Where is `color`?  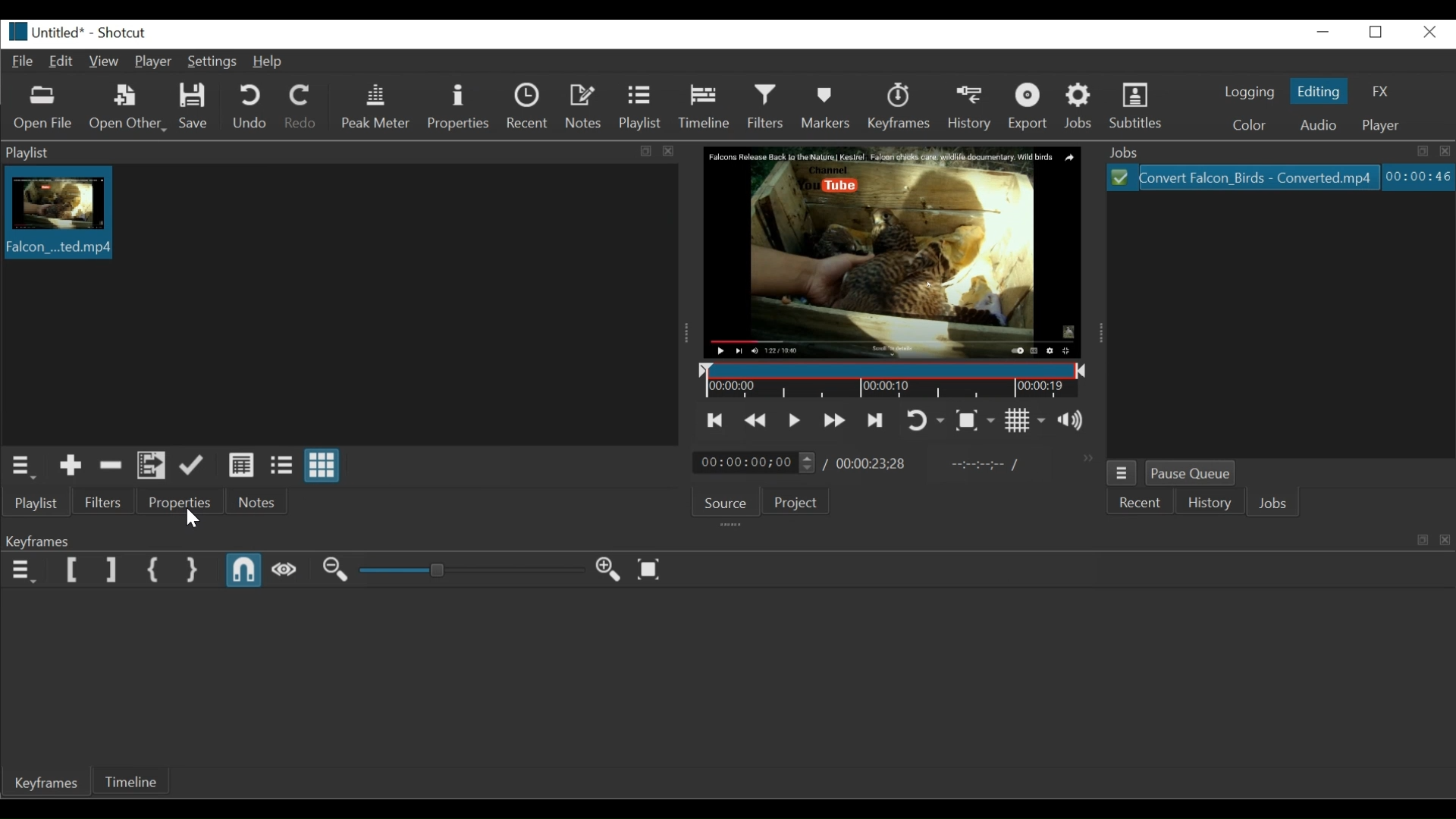 color is located at coordinates (1250, 126).